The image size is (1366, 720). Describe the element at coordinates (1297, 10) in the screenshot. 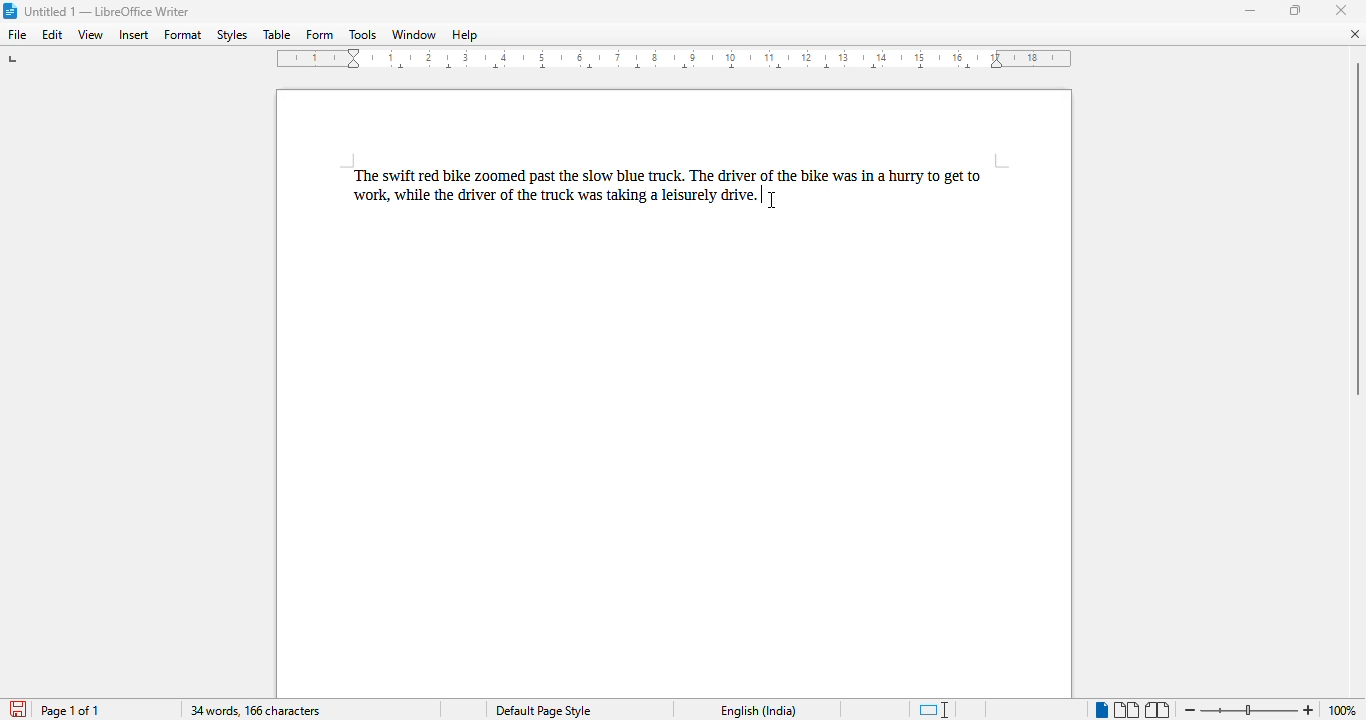

I see `maximize` at that location.